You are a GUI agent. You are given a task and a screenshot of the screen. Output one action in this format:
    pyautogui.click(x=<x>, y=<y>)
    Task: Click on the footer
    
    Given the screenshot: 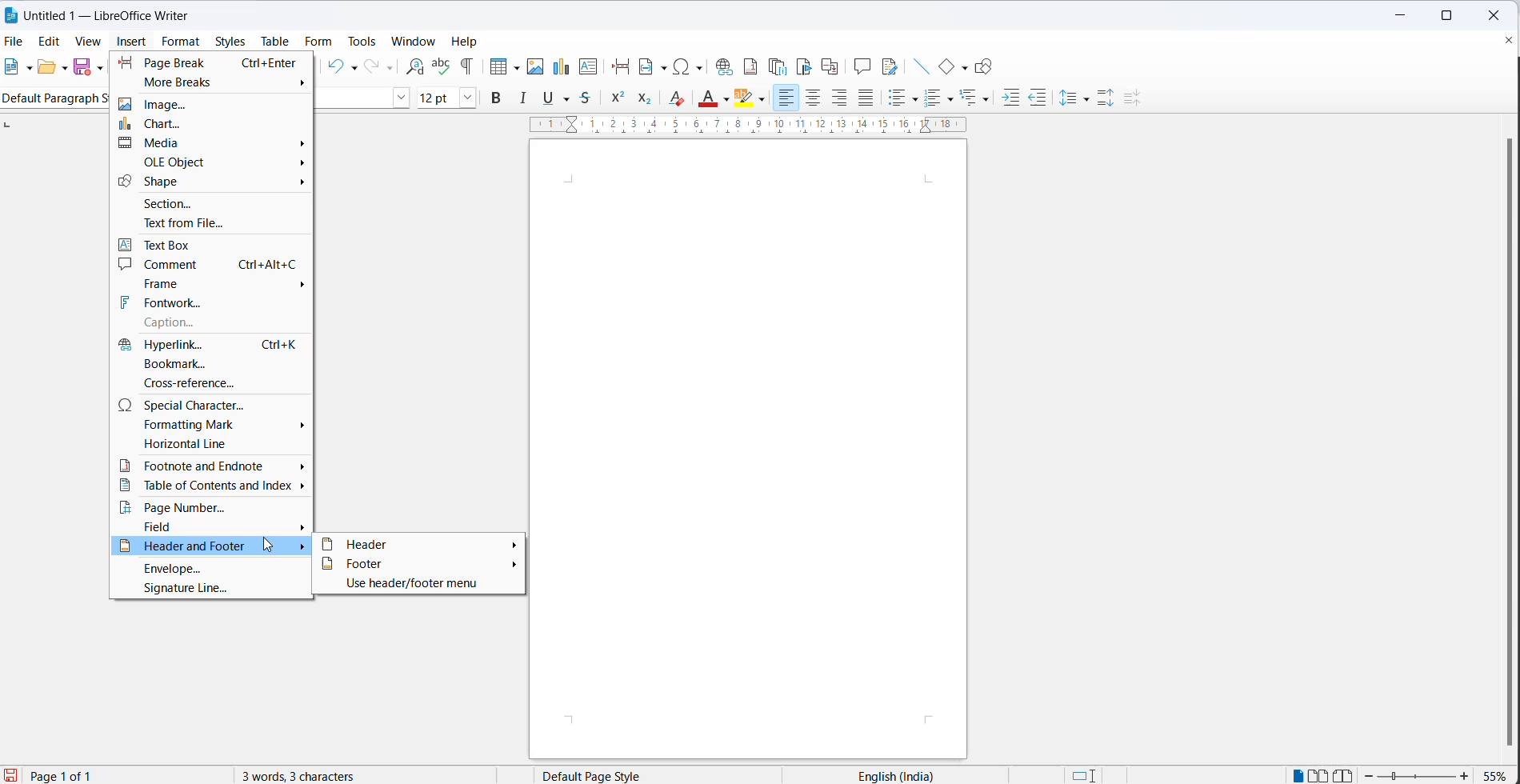 What is the action you would take?
    pyautogui.click(x=421, y=565)
    